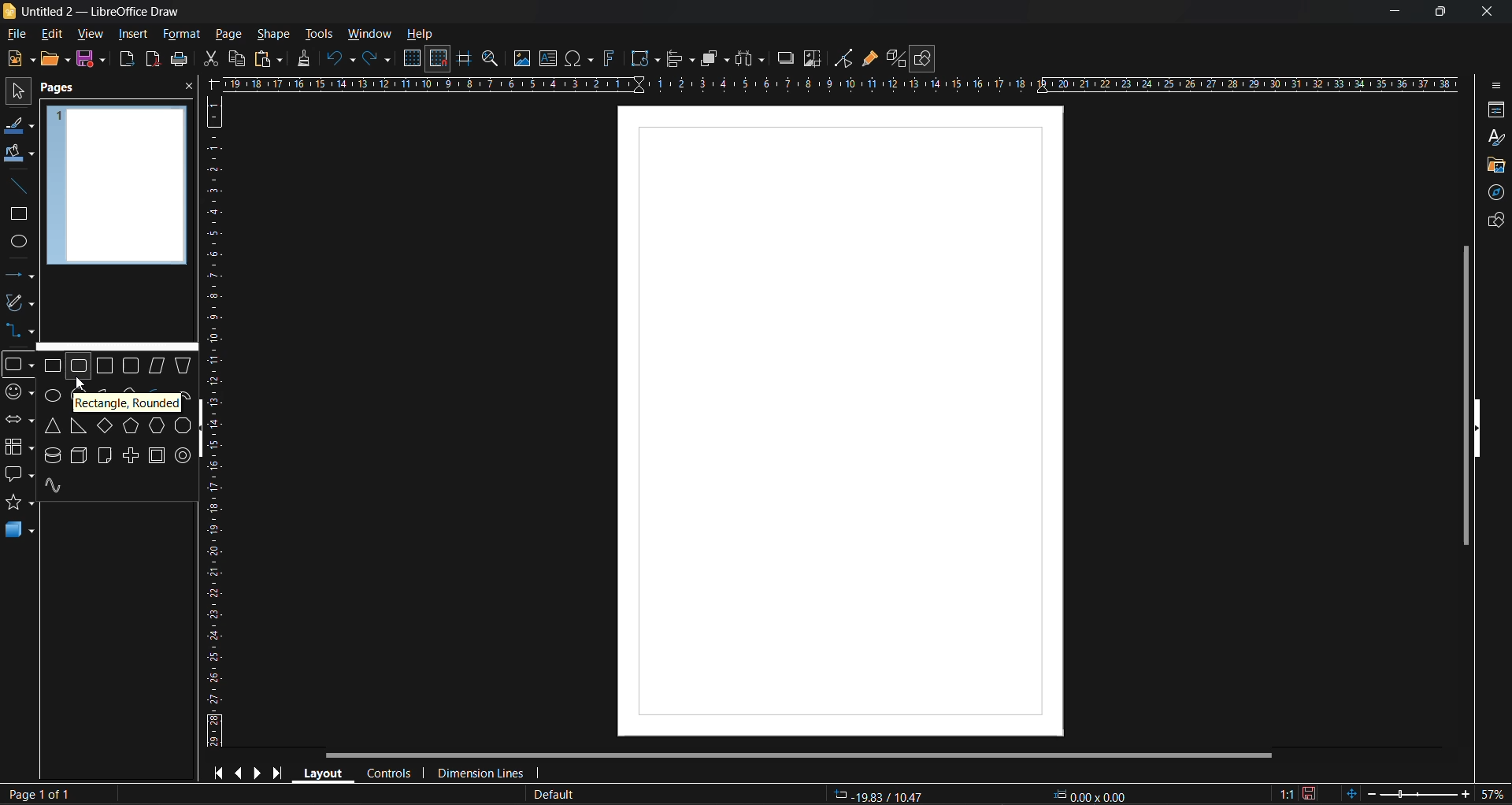 This screenshot has width=1512, height=805. What do you see at coordinates (322, 35) in the screenshot?
I see `tools` at bounding box center [322, 35].